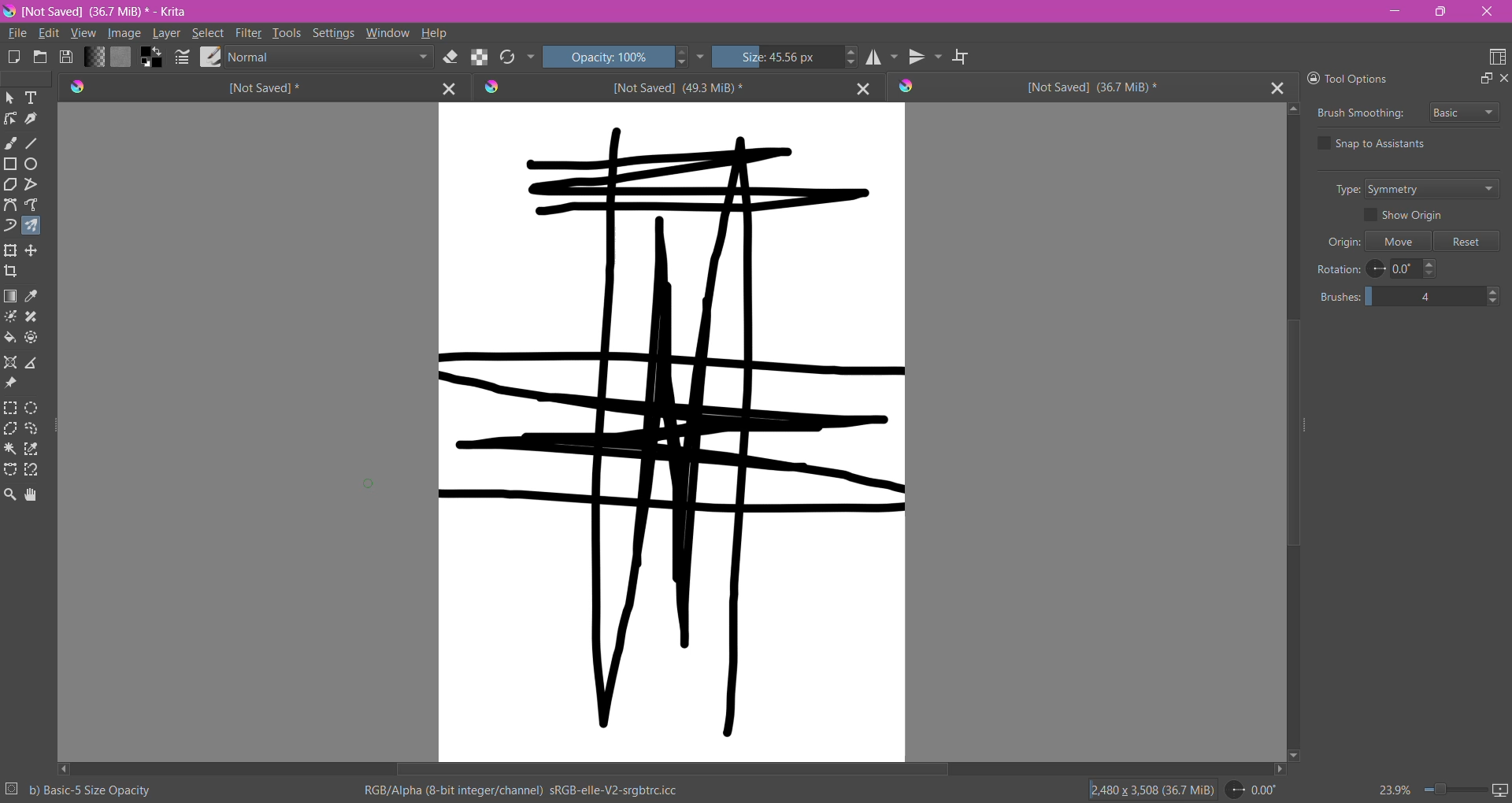 This screenshot has width=1512, height=803. Describe the element at coordinates (33, 204) in the screenshot. I see `Freehand Path Tool` at that location.